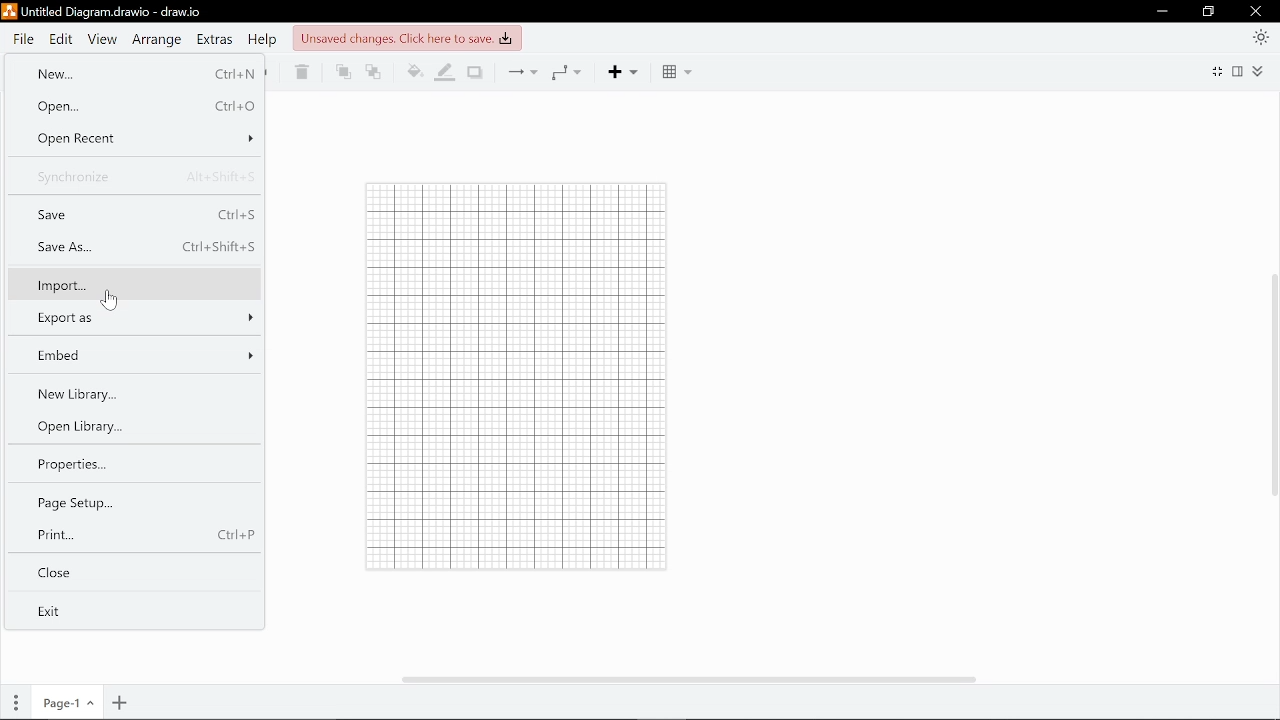 This screenshot has width=1280, height=720. Describe the element at coordinates (130, 392) in the screenshot. I see `New library` at that location.